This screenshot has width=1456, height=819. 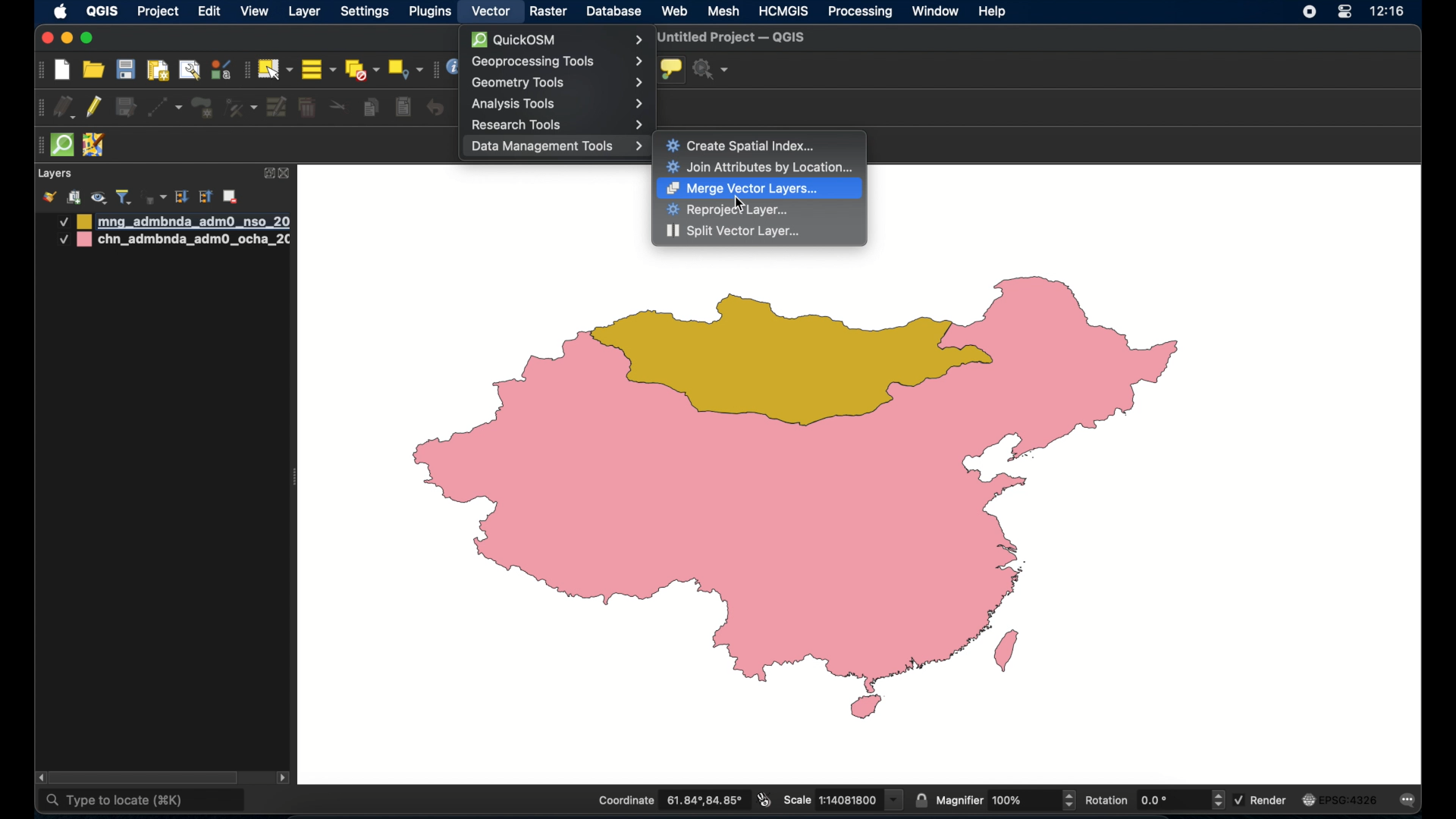 What do you see at coordinates (101, 11) in the screenshot?
I see `QGIS` at bounding box center [101, 11].